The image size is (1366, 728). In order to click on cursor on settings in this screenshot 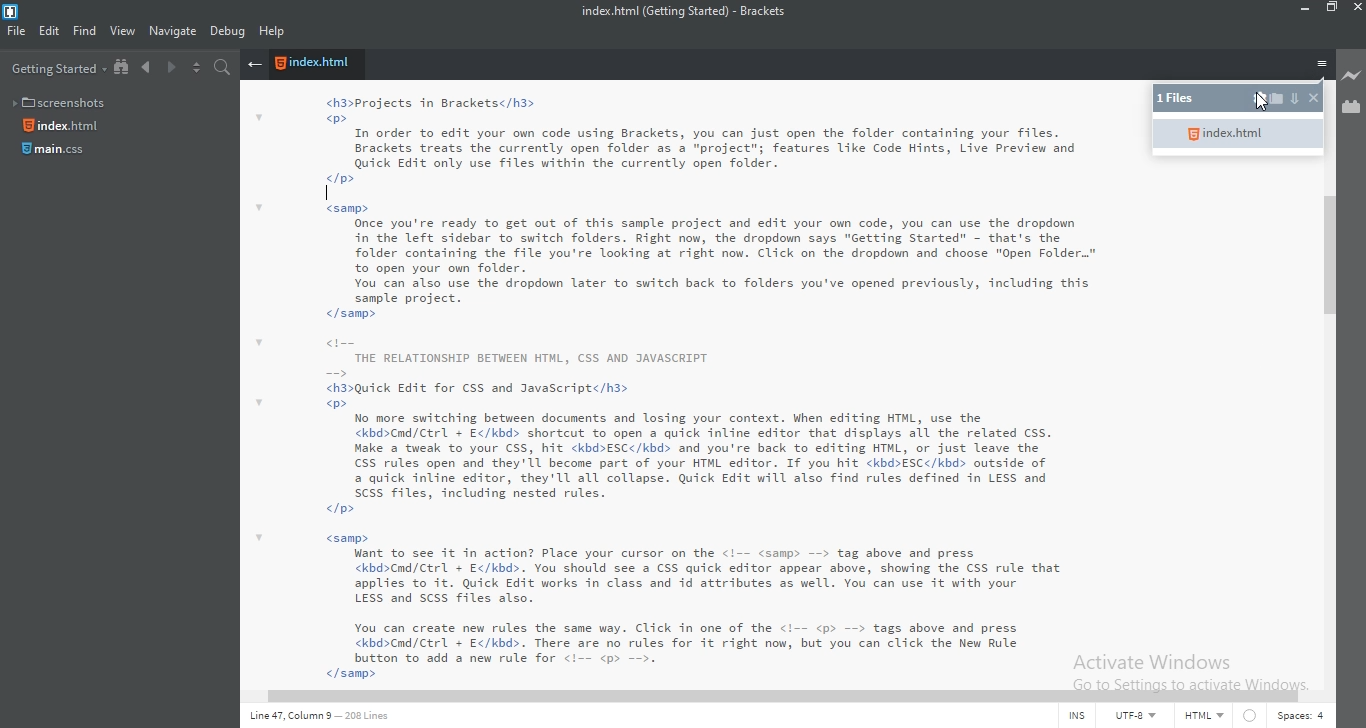, I will do `click(1263, 103)`.